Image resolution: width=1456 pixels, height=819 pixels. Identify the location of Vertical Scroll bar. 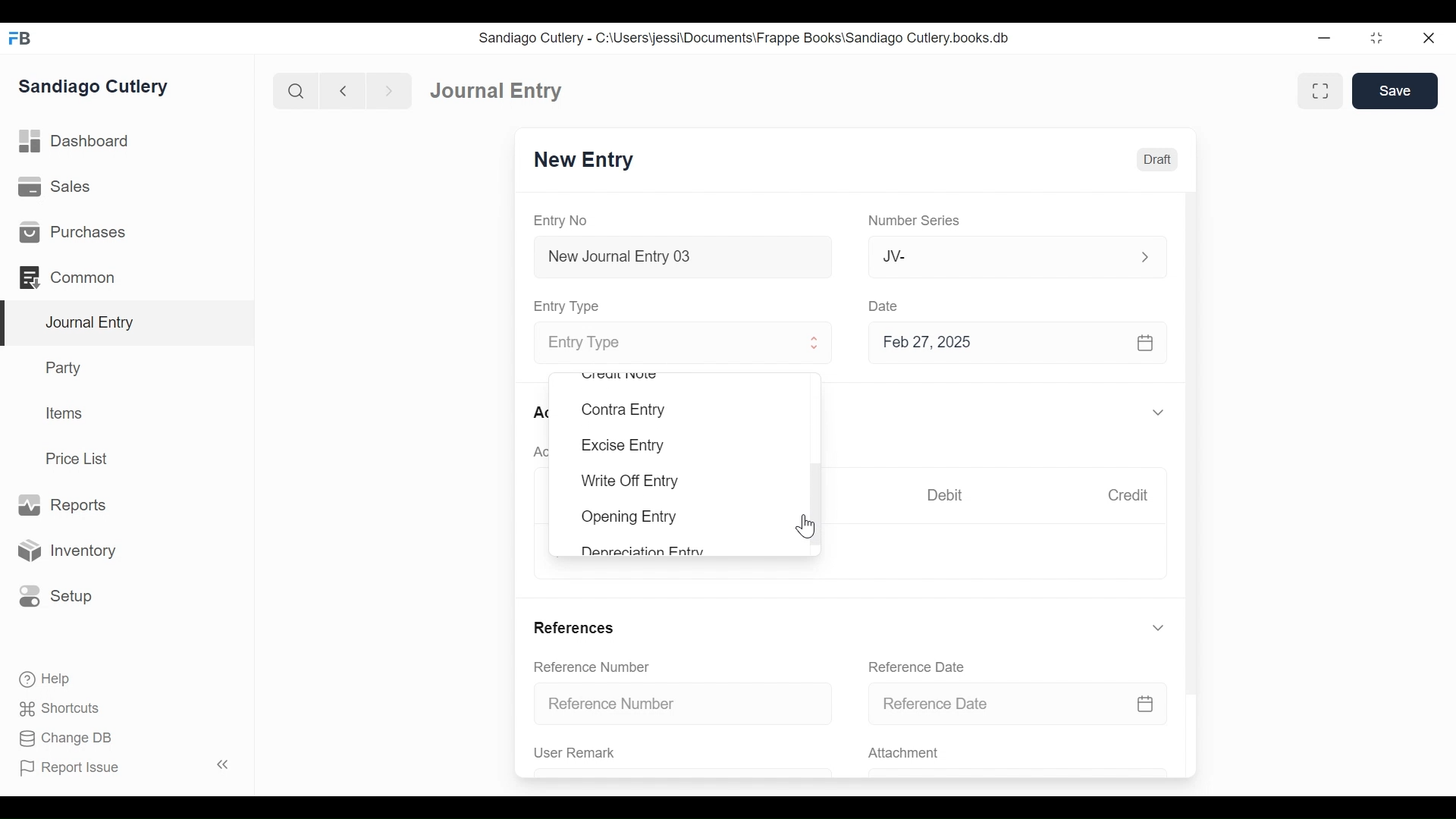
(817, 494).